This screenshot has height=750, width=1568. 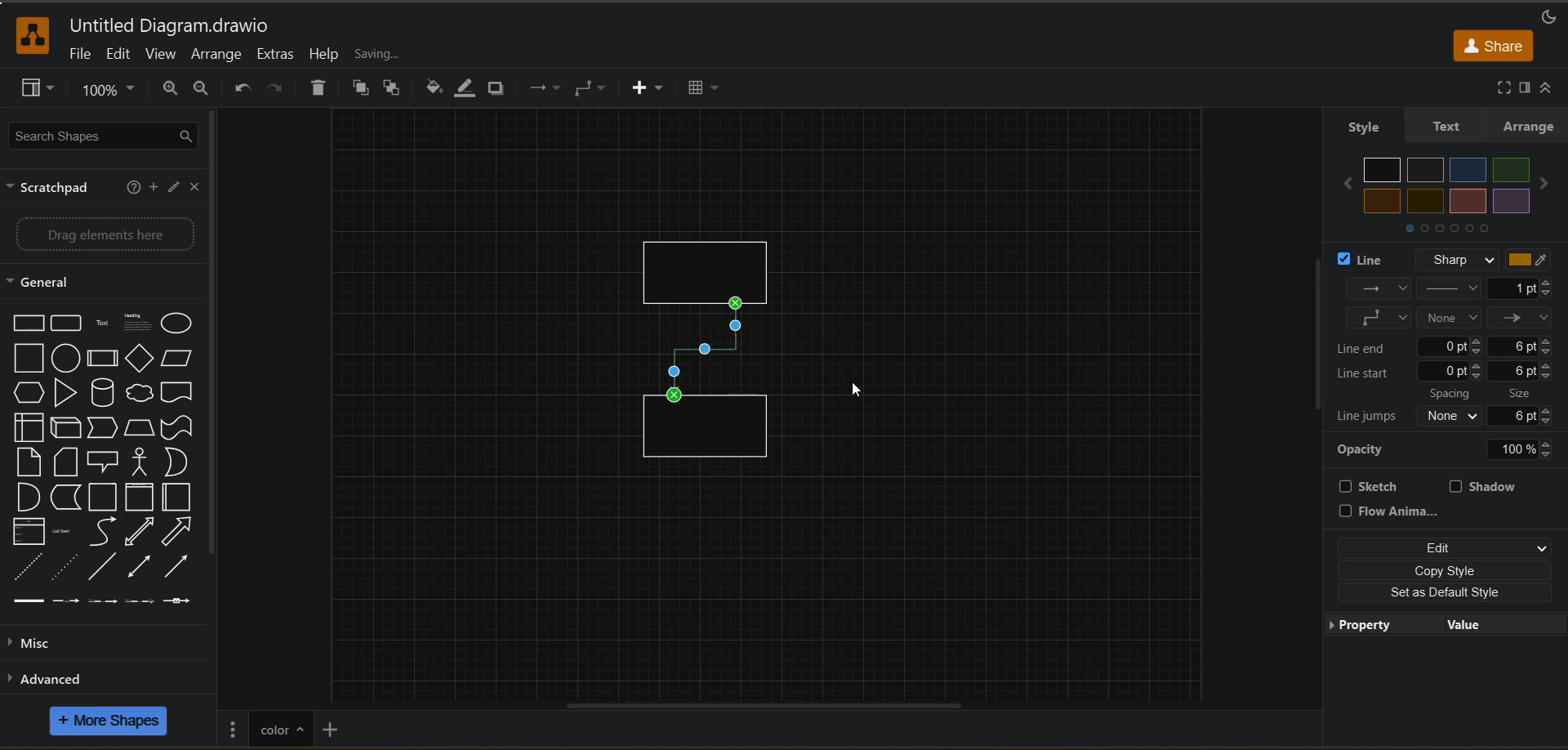 I want to click on Callout, so click(x=108, y=461).